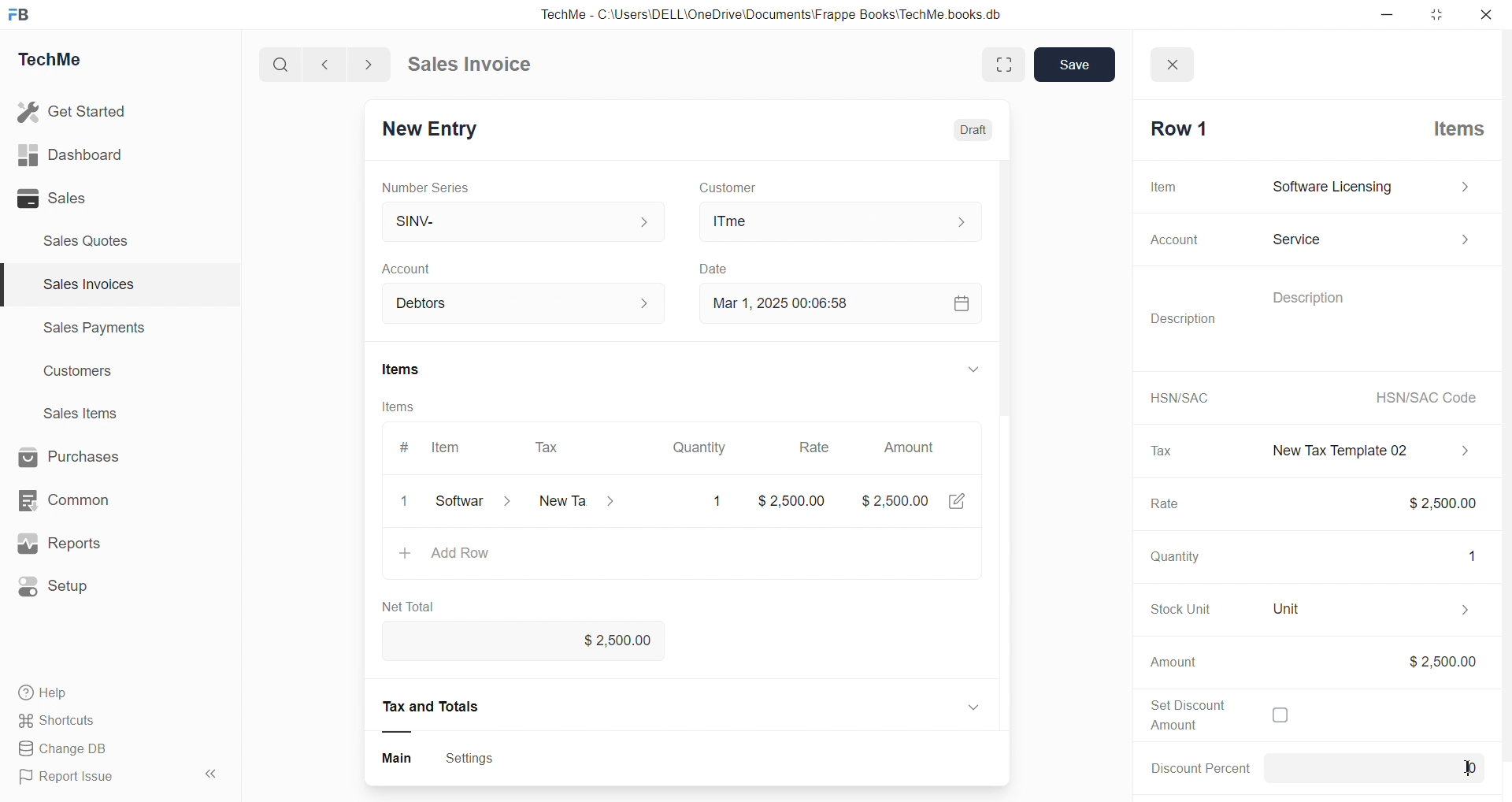 Image resolution: width=1512 pixels, height=802 pixels. What do you see at coordinates (1430, 502) in the screenshot?
I see `$2,500.00` at bounding box center [1430, 502].